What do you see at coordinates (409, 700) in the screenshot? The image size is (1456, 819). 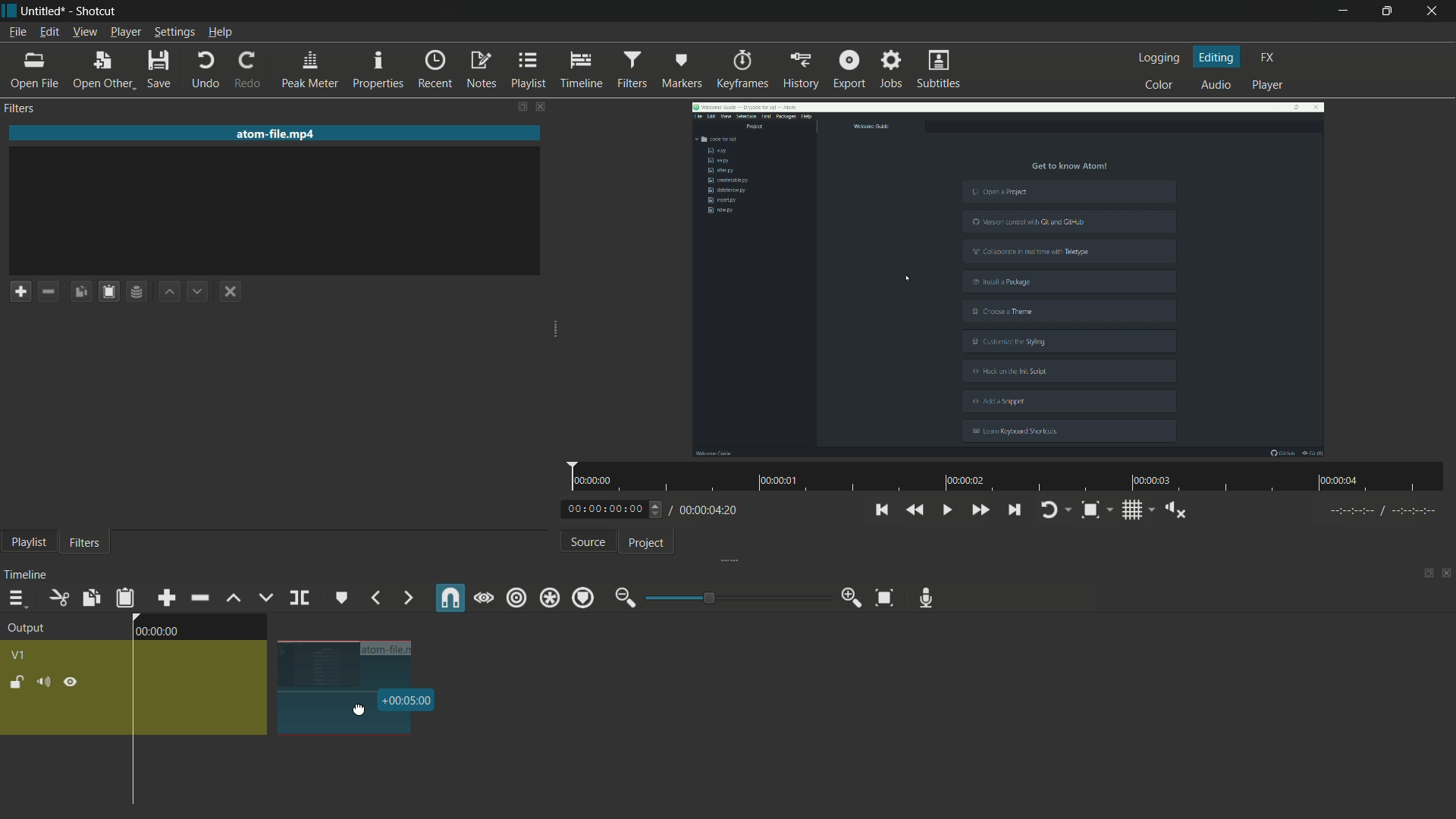 I see `time` at bounding box center [409, 700].